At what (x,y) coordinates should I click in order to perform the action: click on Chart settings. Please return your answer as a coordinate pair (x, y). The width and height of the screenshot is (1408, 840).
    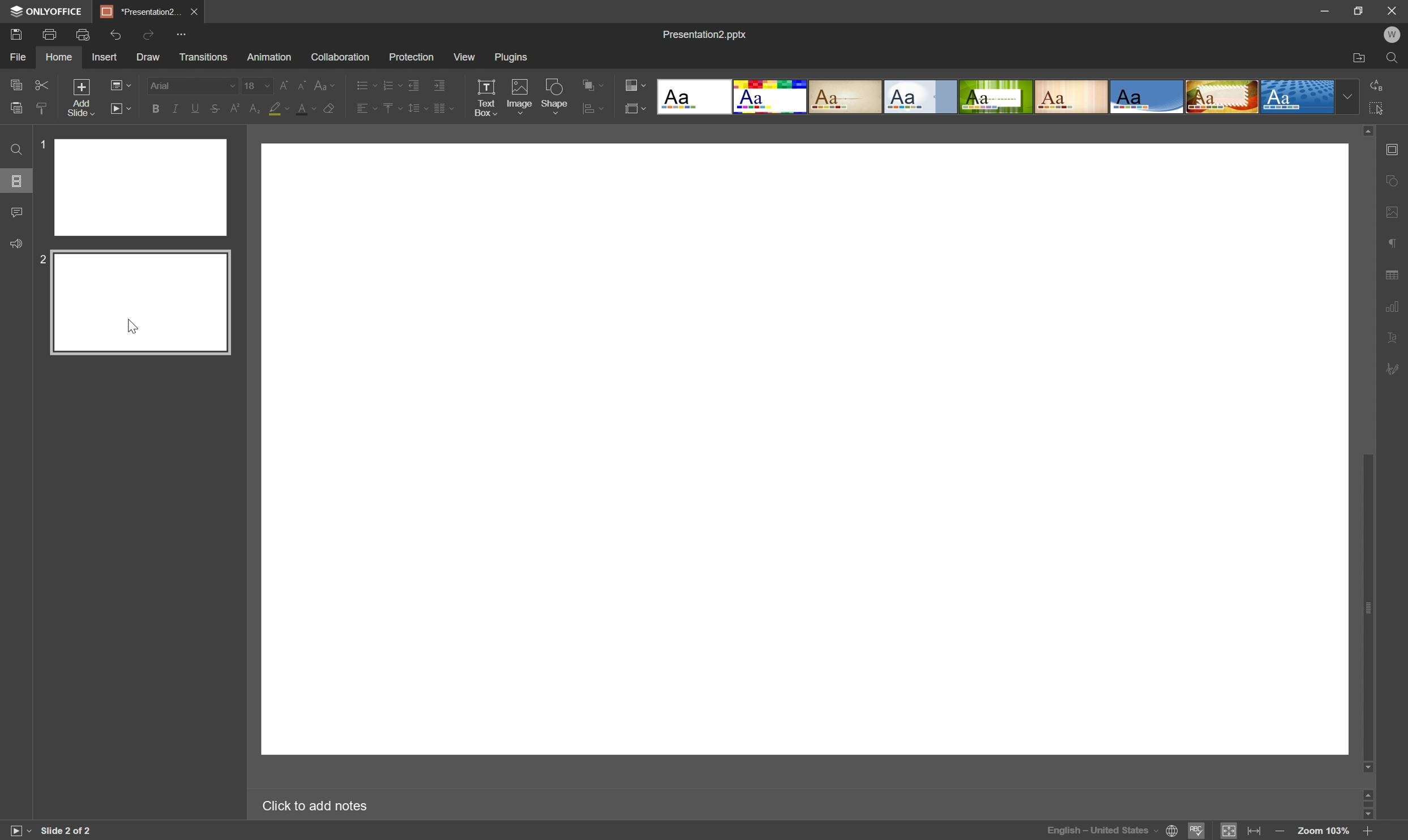
    Looking at the image, I should click on (1394, 305).